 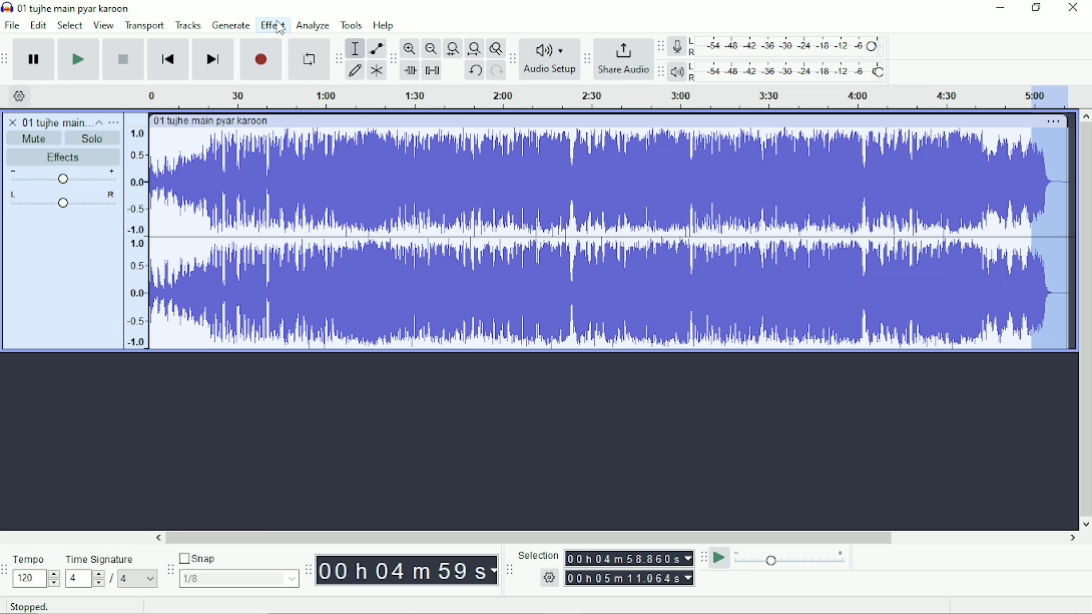 I want to click on Share Audio, so click(x=624, y=58).